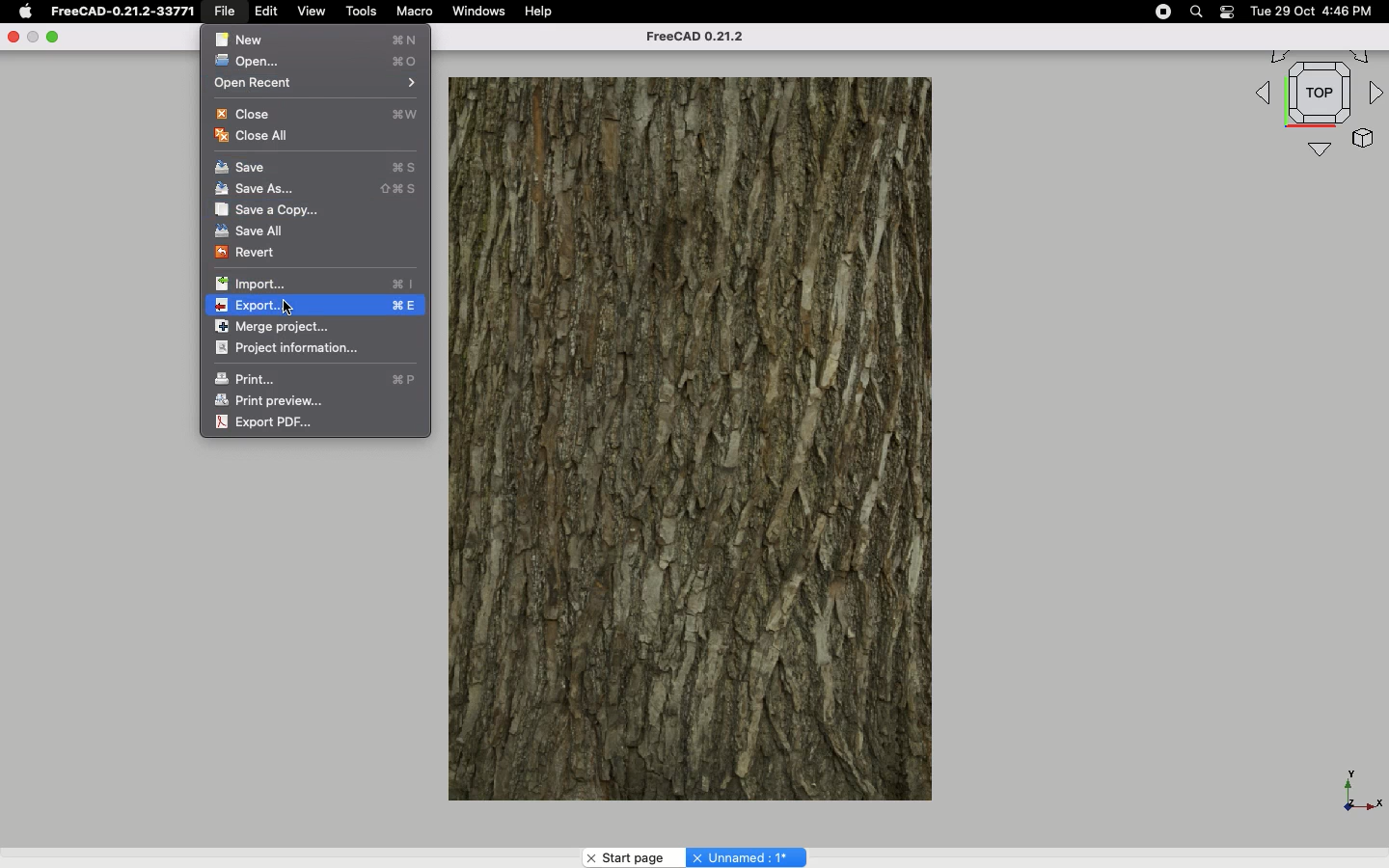  I want to click on Open, so click(320, 64).